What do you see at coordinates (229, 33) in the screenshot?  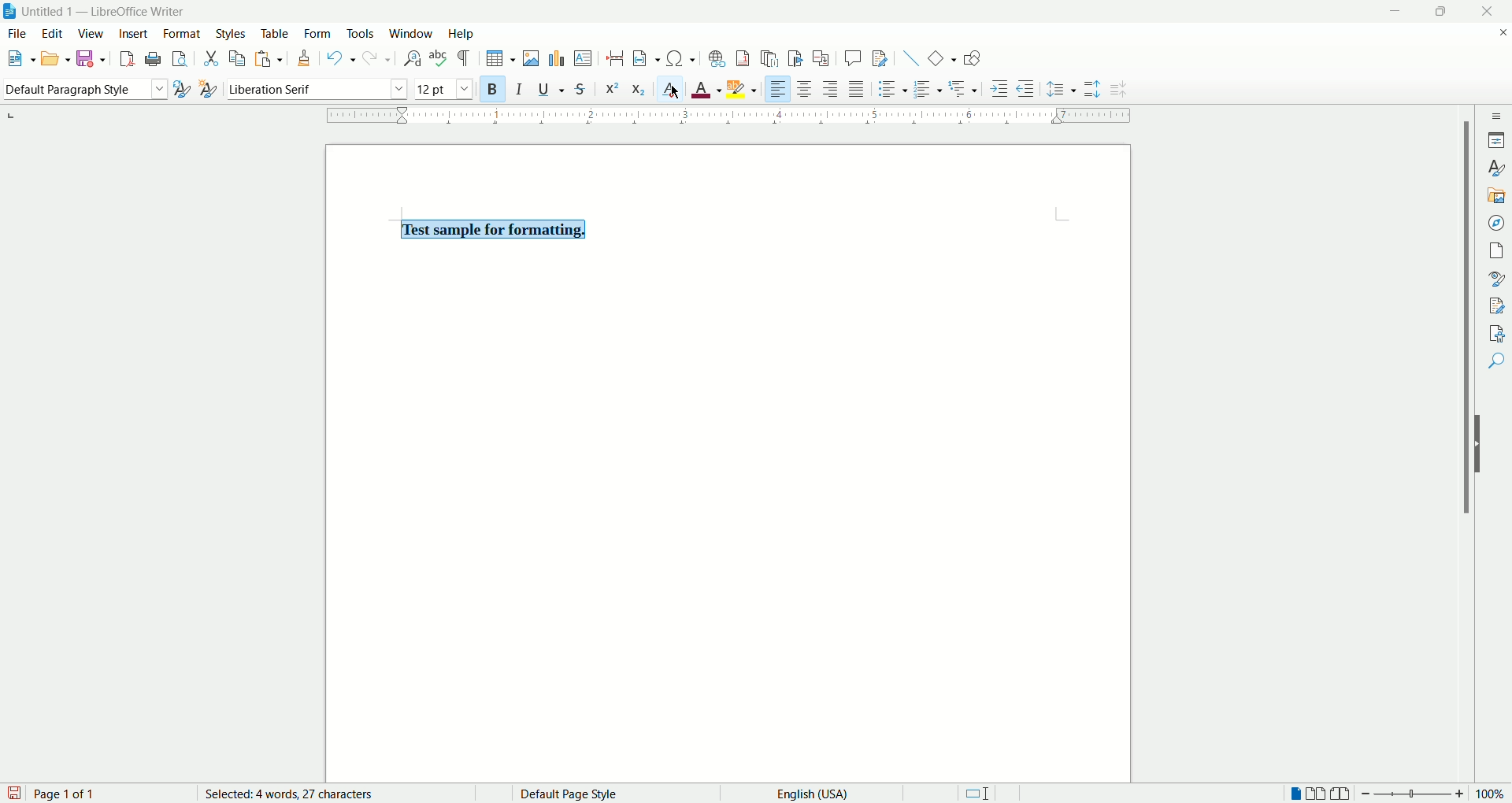 I see `style` at bounding box center [229, 33].